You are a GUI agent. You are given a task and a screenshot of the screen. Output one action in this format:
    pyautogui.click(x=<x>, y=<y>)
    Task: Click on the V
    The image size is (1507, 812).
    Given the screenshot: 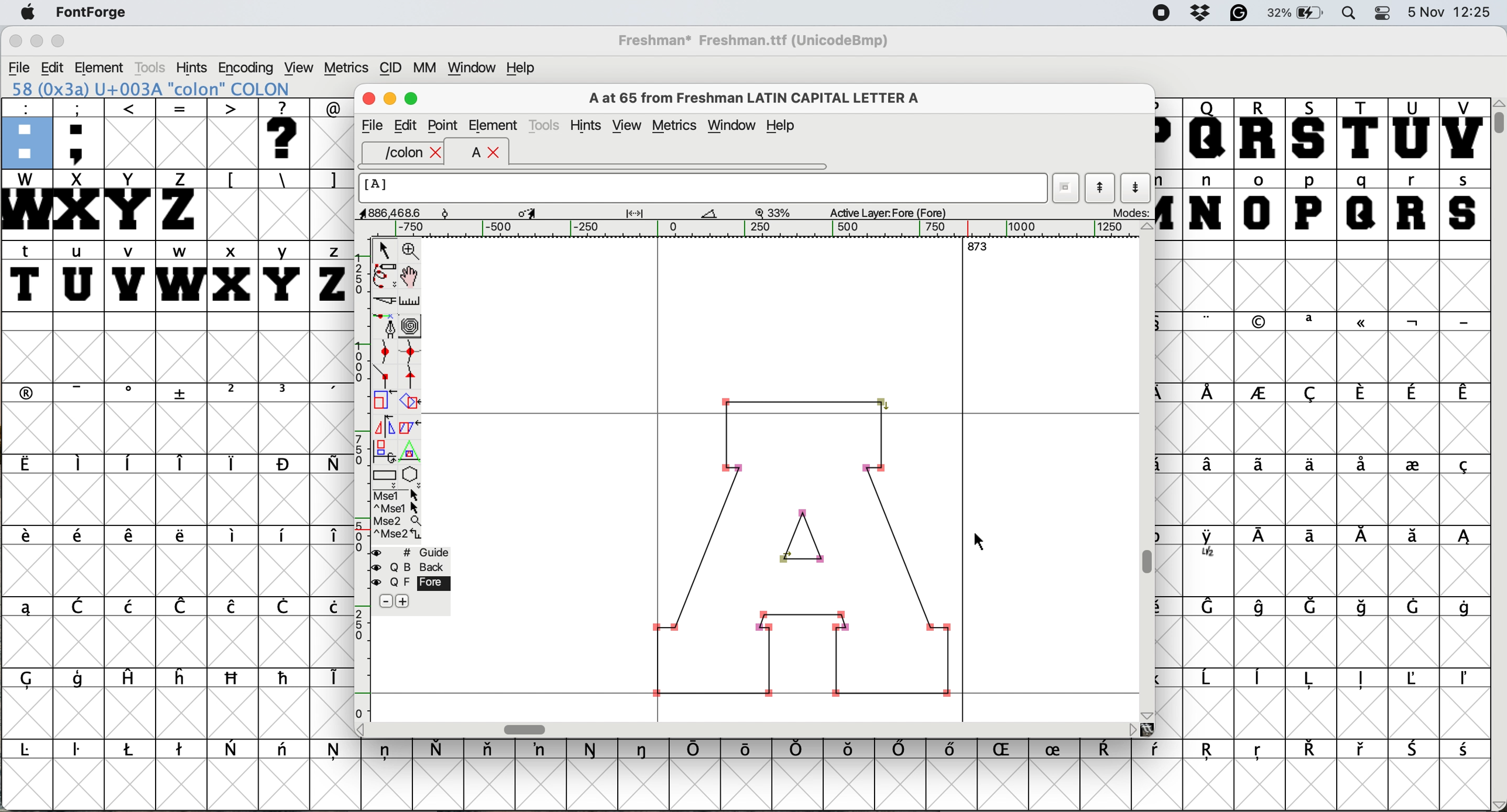 What is the action you would take?
    pyautogui.click(x=1464, y=133)
    